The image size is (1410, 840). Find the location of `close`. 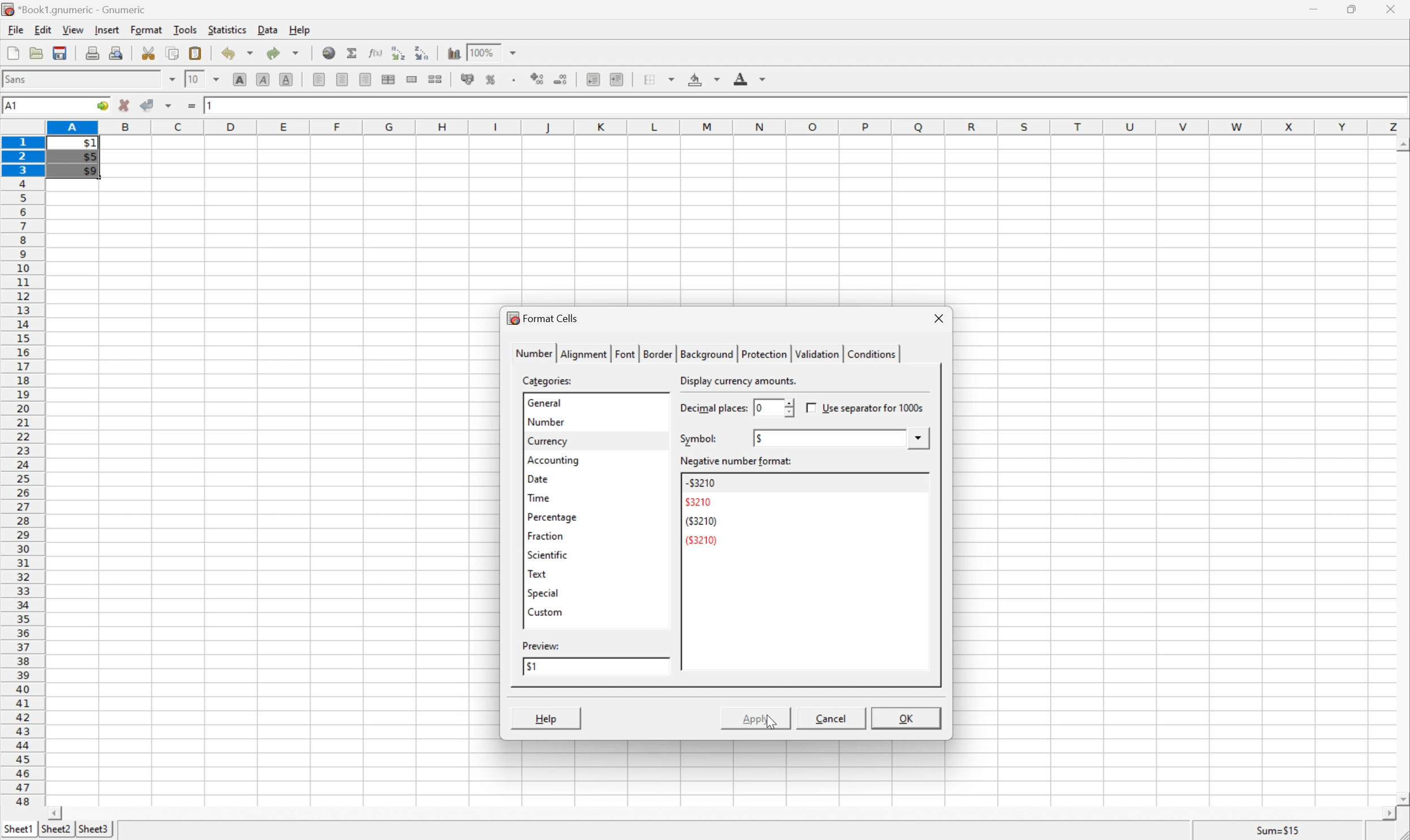

close is located at coordinates (939, 319).